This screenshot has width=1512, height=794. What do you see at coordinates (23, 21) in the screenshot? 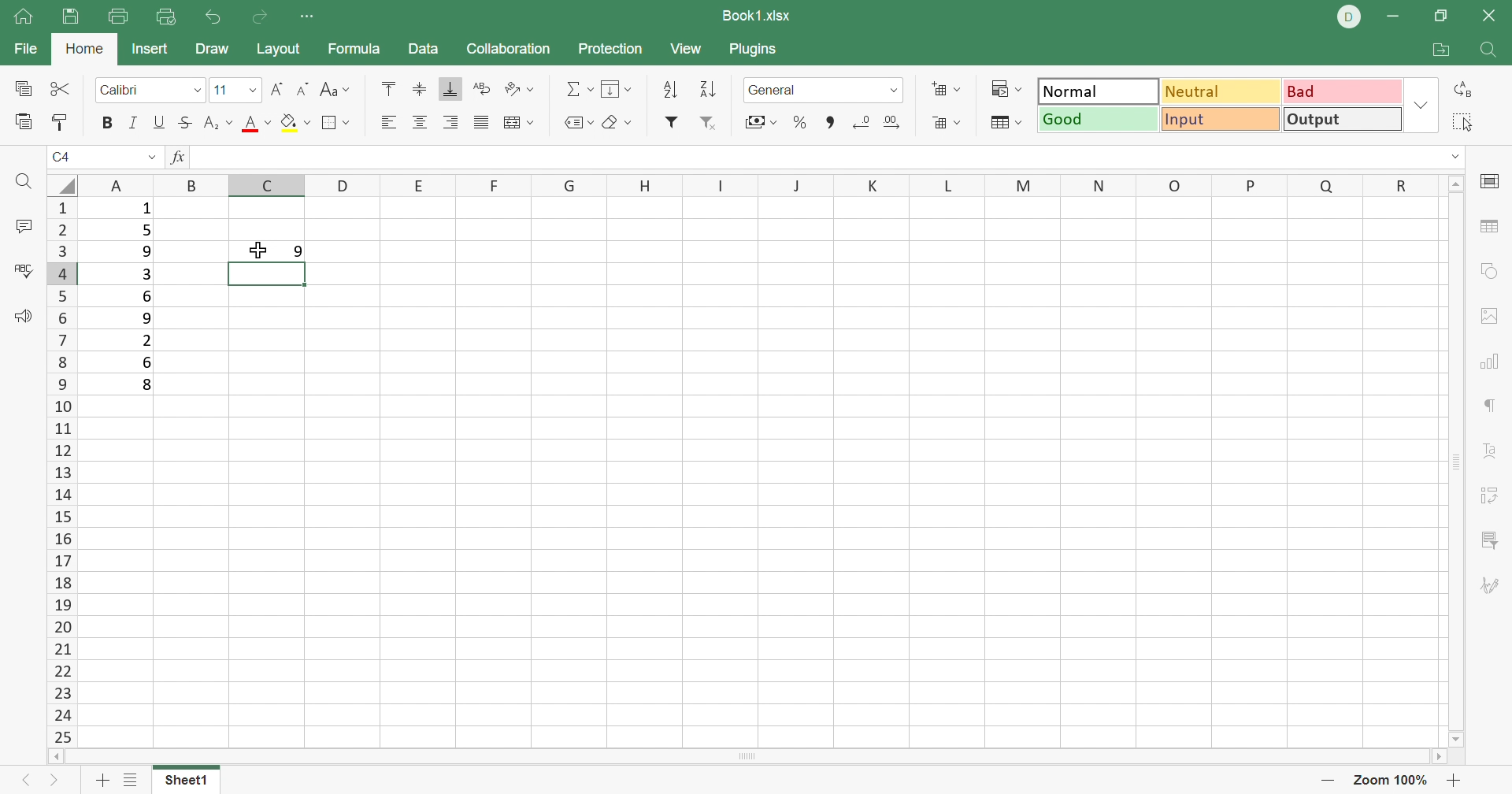
I see `Home` at bounding box center [23, 21].